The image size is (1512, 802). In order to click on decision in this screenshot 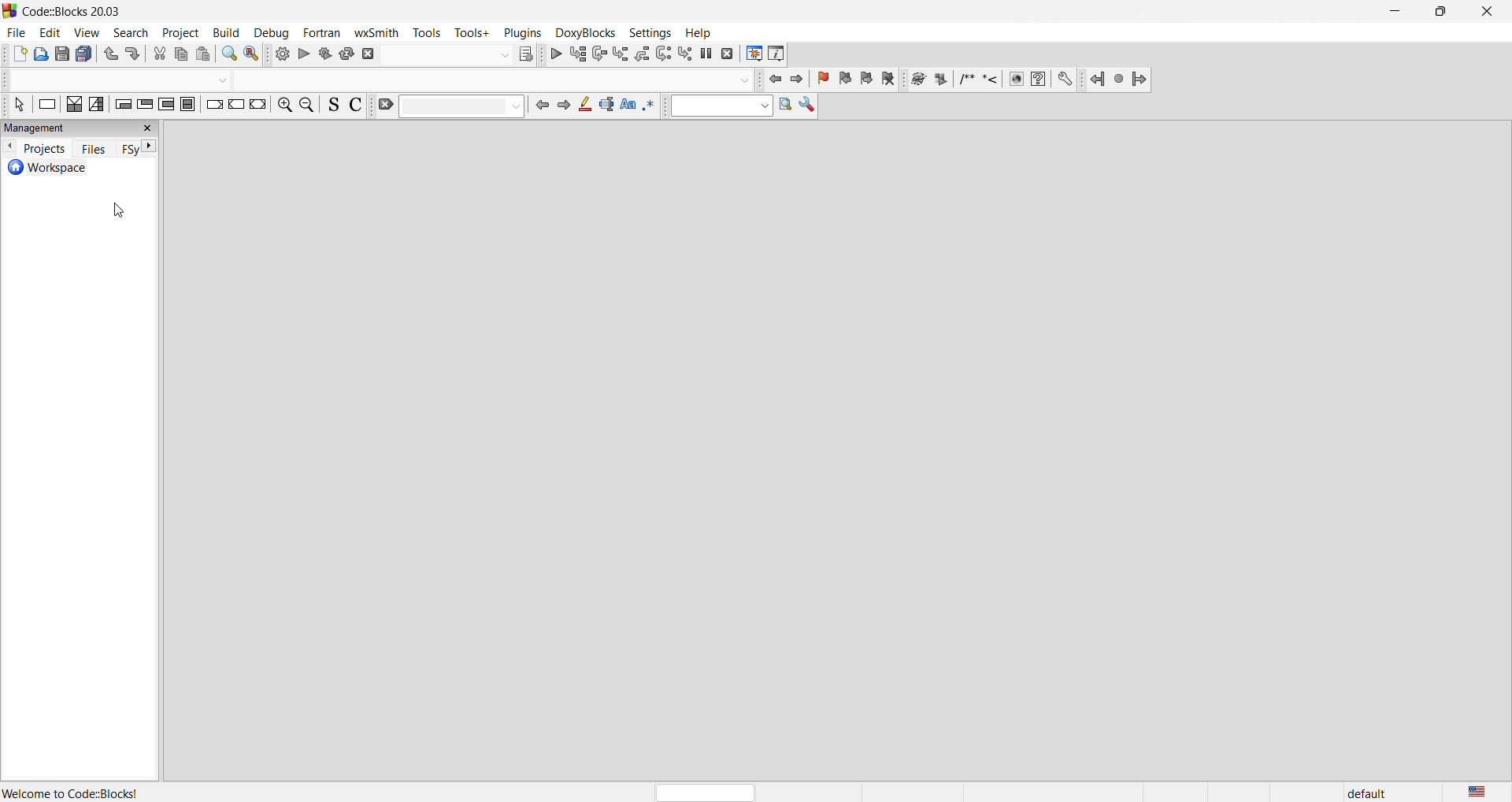, I will do `click(73, 105)`.